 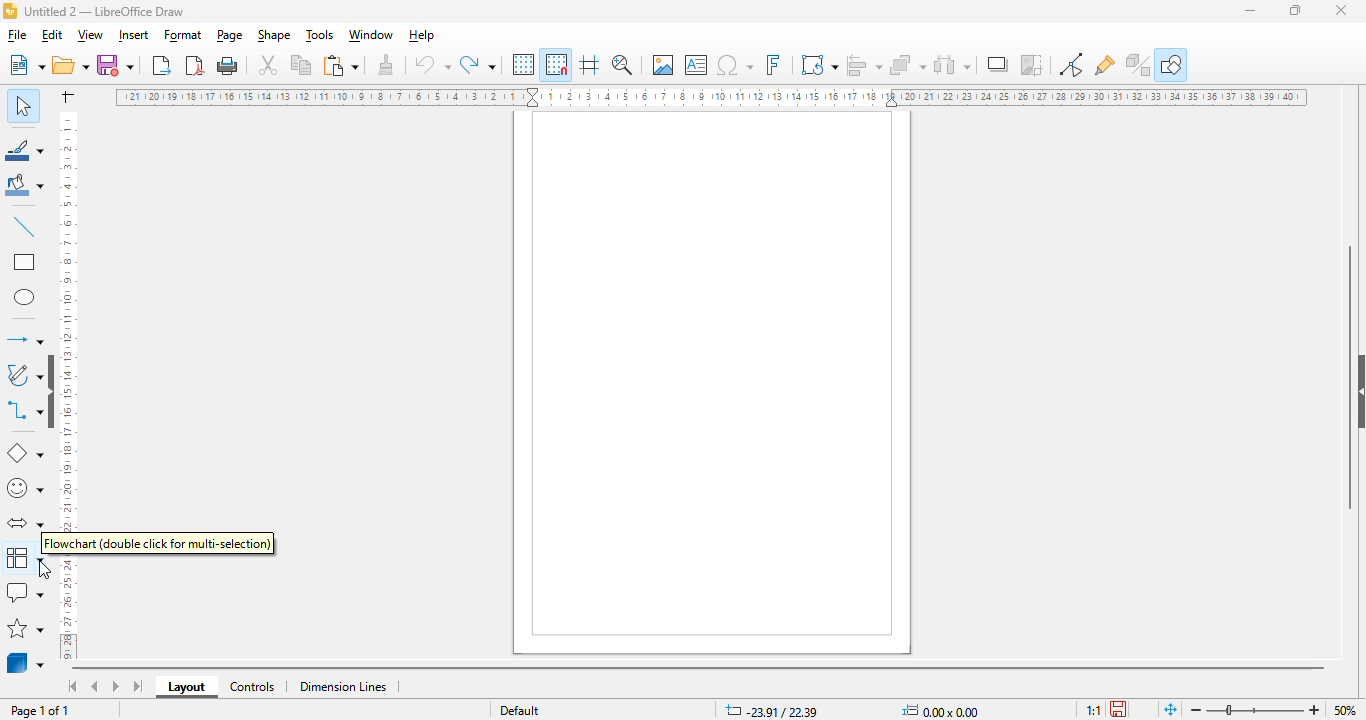 I want to click on the document has not been modified since the last save, so click(x=1120, y=708).